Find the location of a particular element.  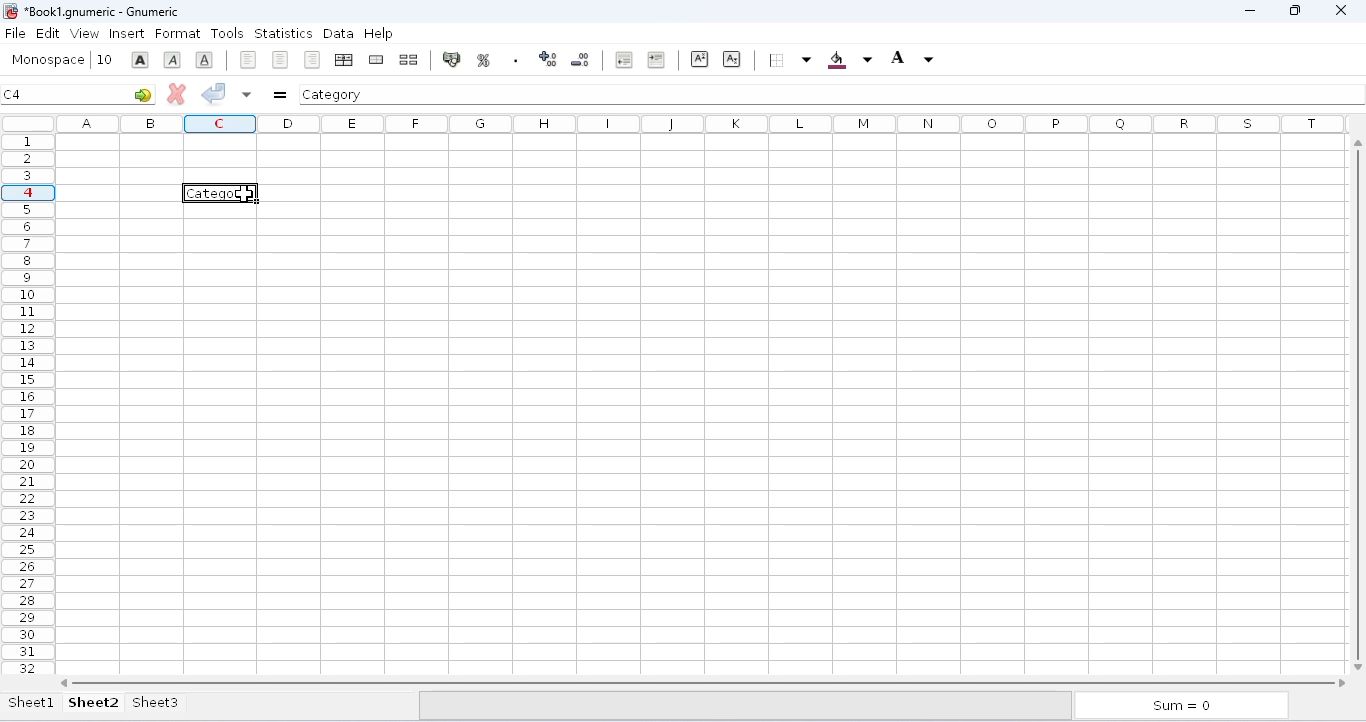

borders is located at coordinates (788, 60).